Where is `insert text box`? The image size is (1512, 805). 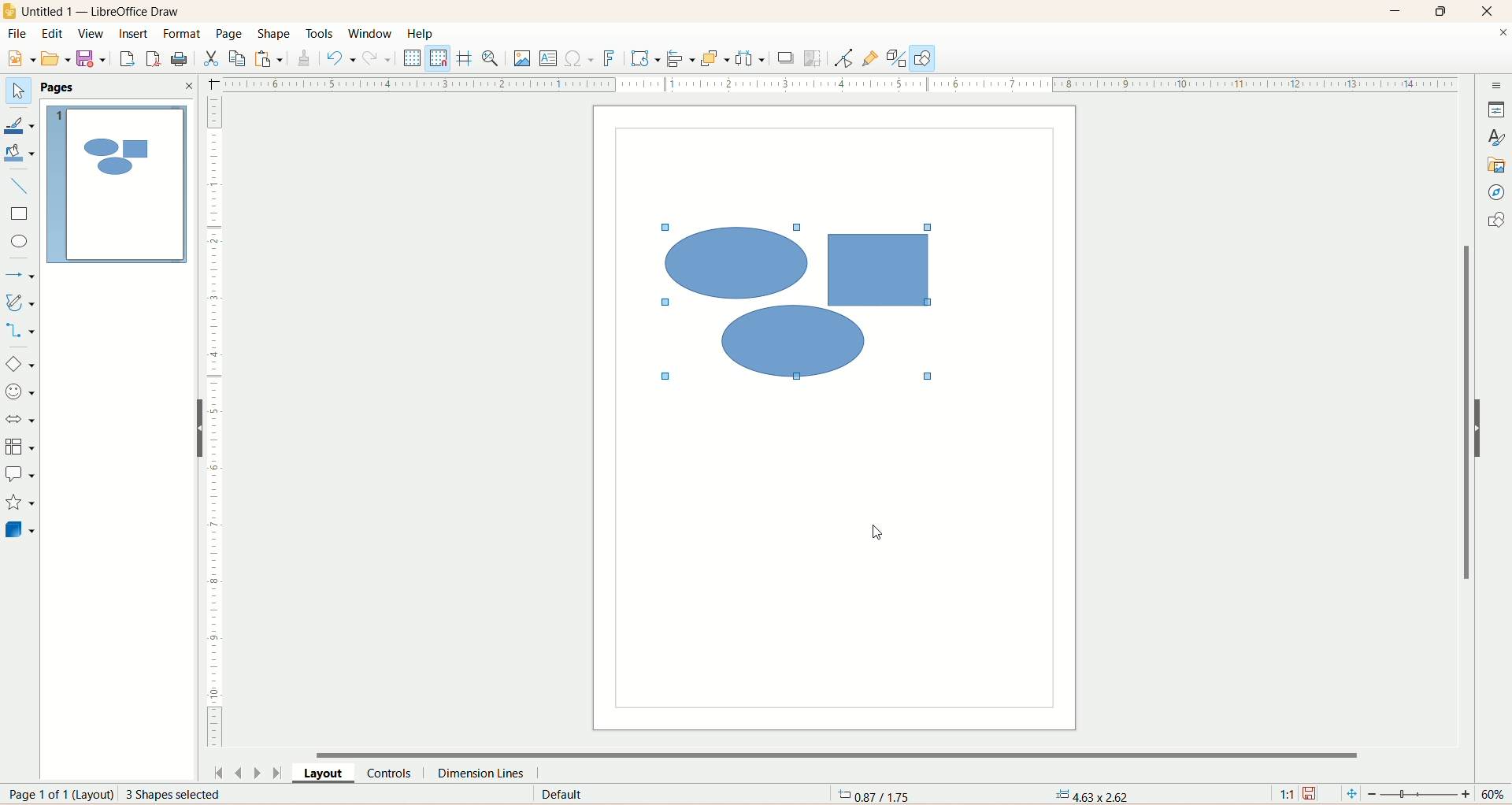
insert text box is located at coordinates (550, 60).